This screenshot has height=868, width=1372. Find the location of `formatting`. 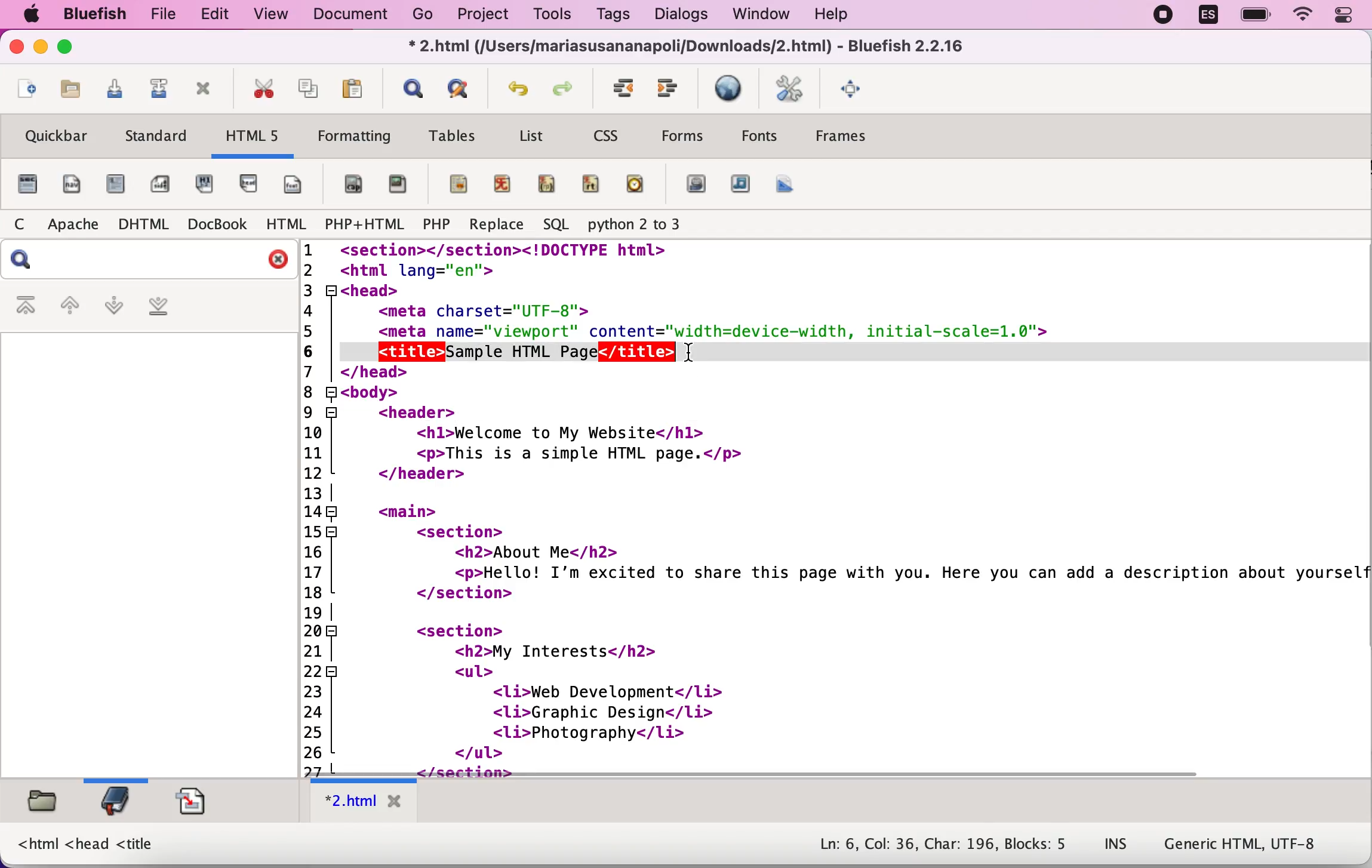

formatting is located at coordinates (353, 138).